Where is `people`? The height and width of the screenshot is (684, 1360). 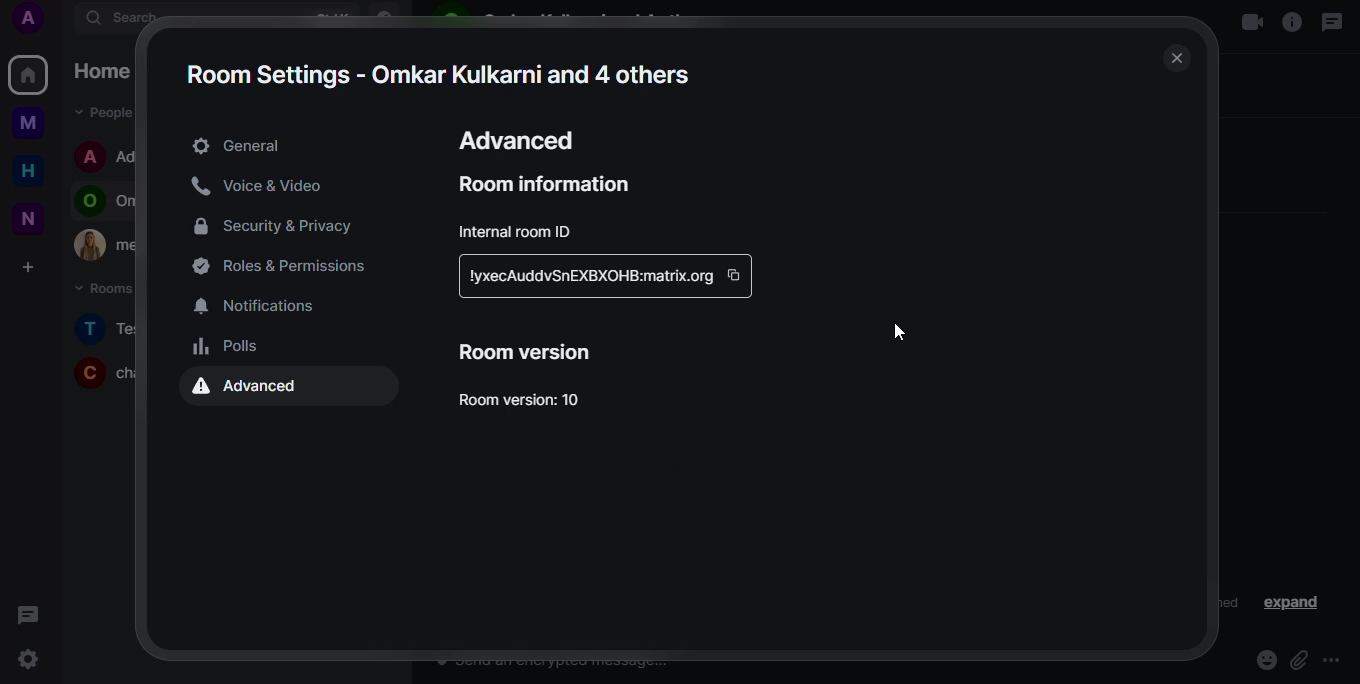 people is located at coordinates (107, 113).